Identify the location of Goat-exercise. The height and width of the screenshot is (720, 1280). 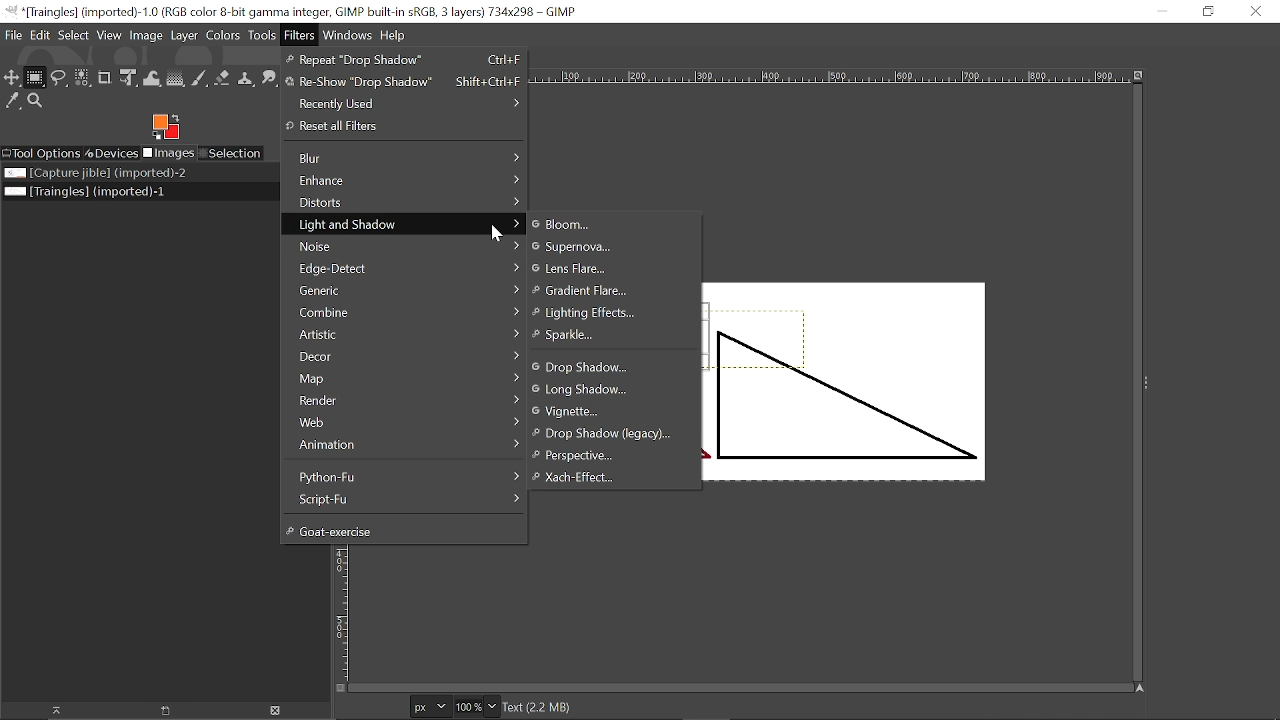
(403, 532).